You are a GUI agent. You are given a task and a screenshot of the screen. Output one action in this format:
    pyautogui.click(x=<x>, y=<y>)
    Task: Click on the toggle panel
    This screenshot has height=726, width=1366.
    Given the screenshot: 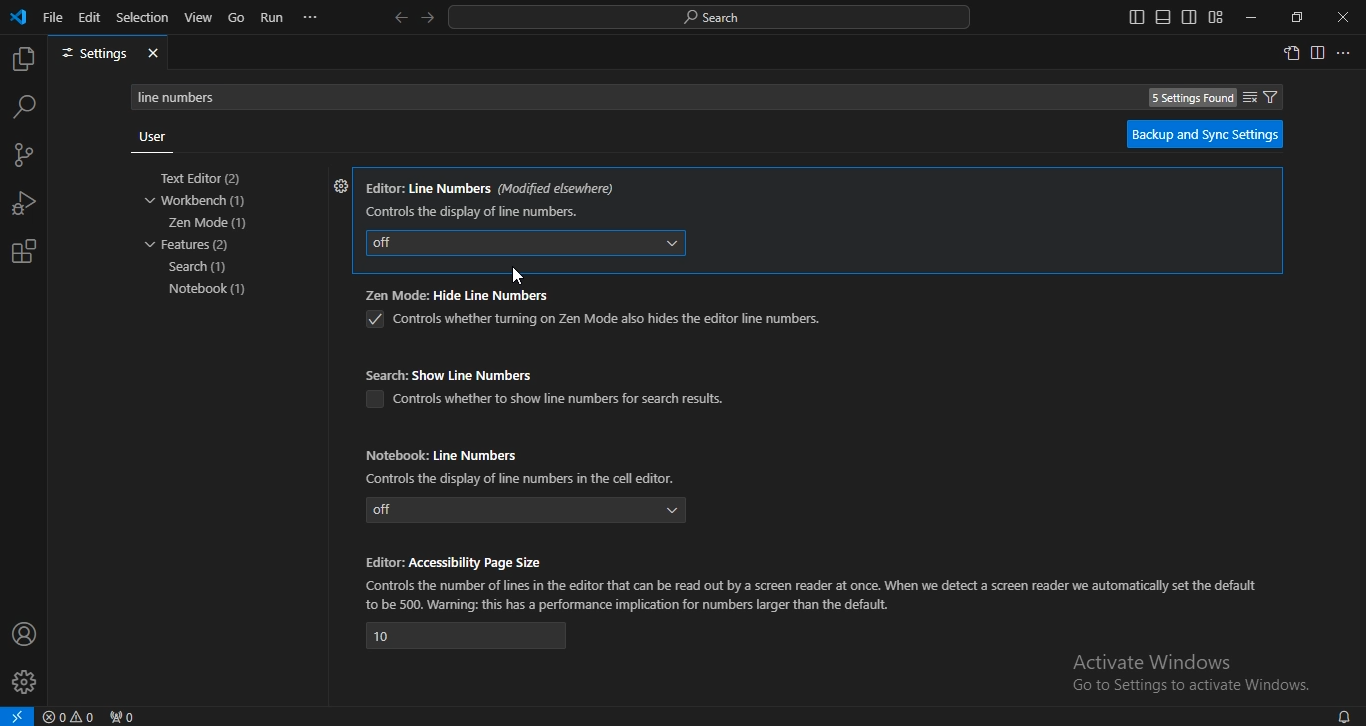 What is the action you would take?
    pyautogui.click(x=1162, y=17)
    